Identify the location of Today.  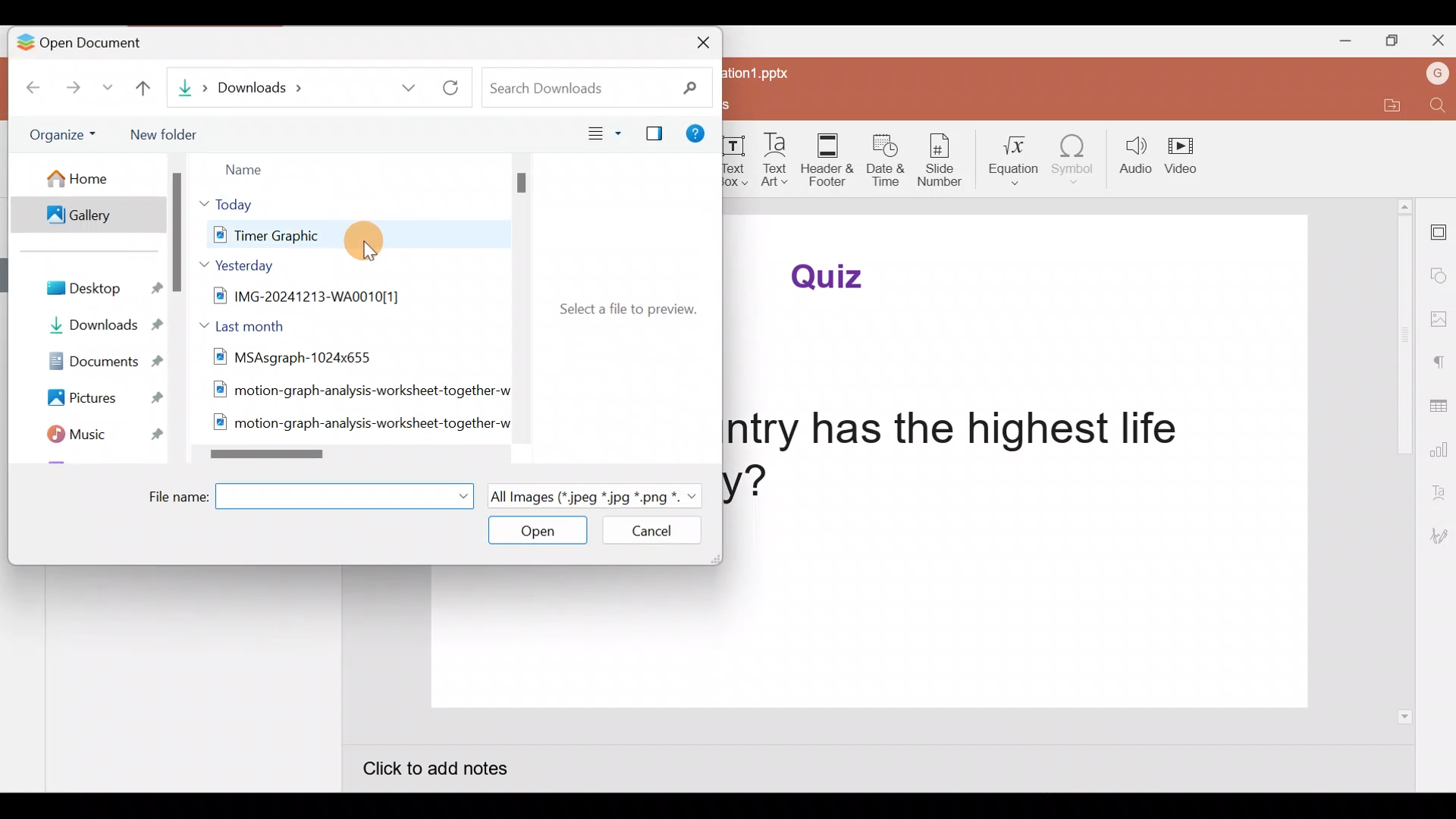
(243, 203).